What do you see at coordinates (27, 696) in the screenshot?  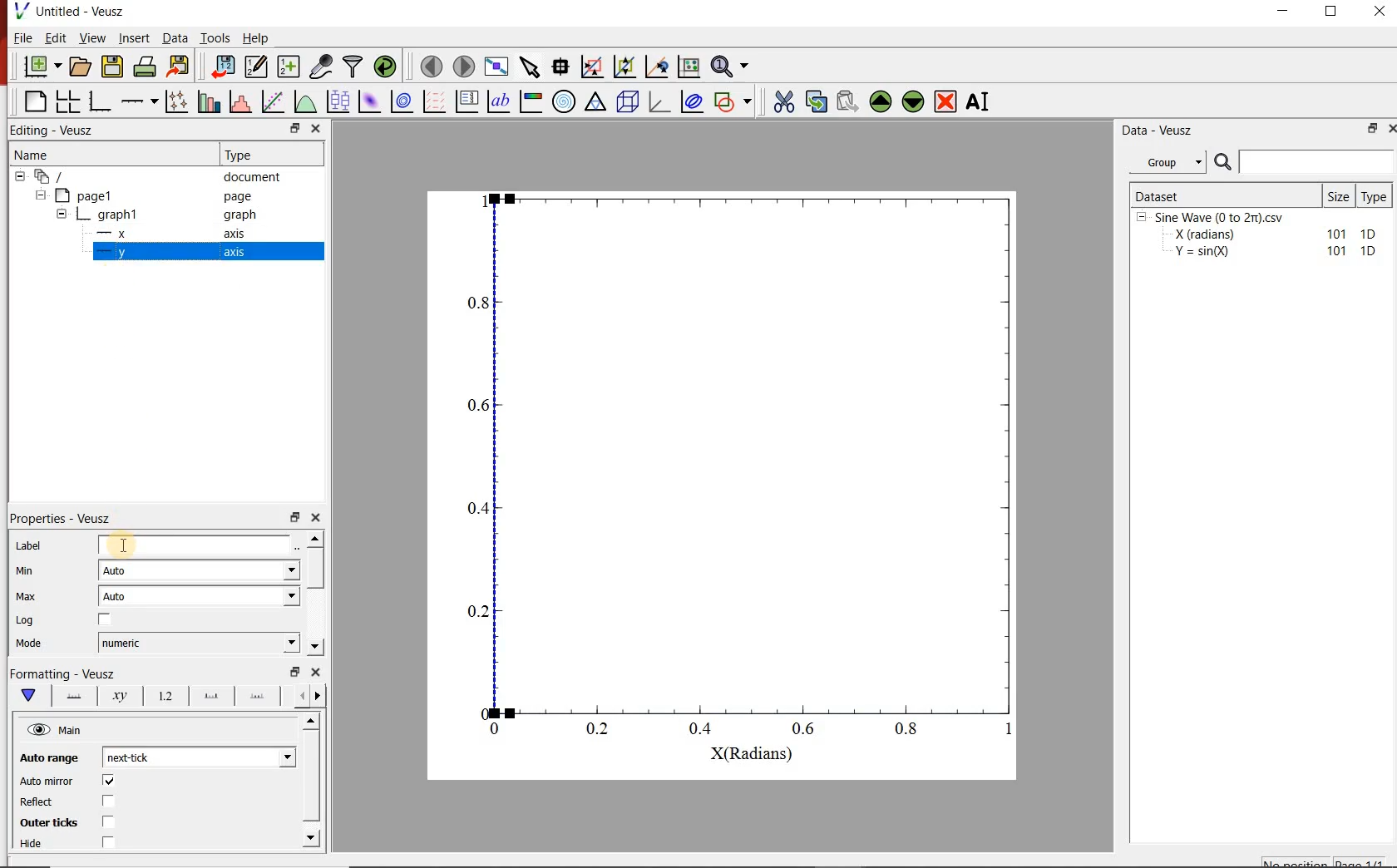 I see `down arrow` at bounding box center [27, 696].